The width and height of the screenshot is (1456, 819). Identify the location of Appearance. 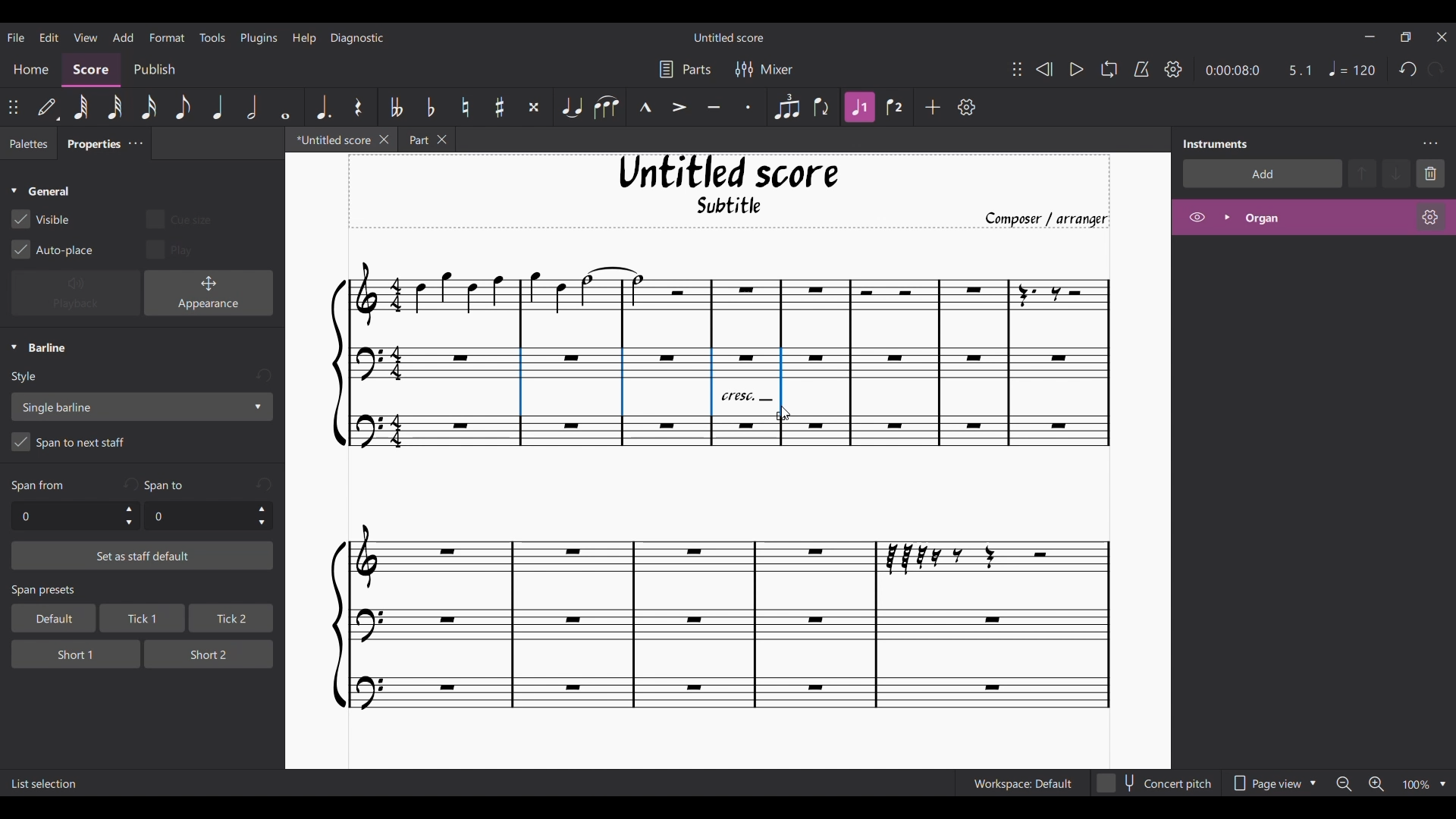
(209, 293).